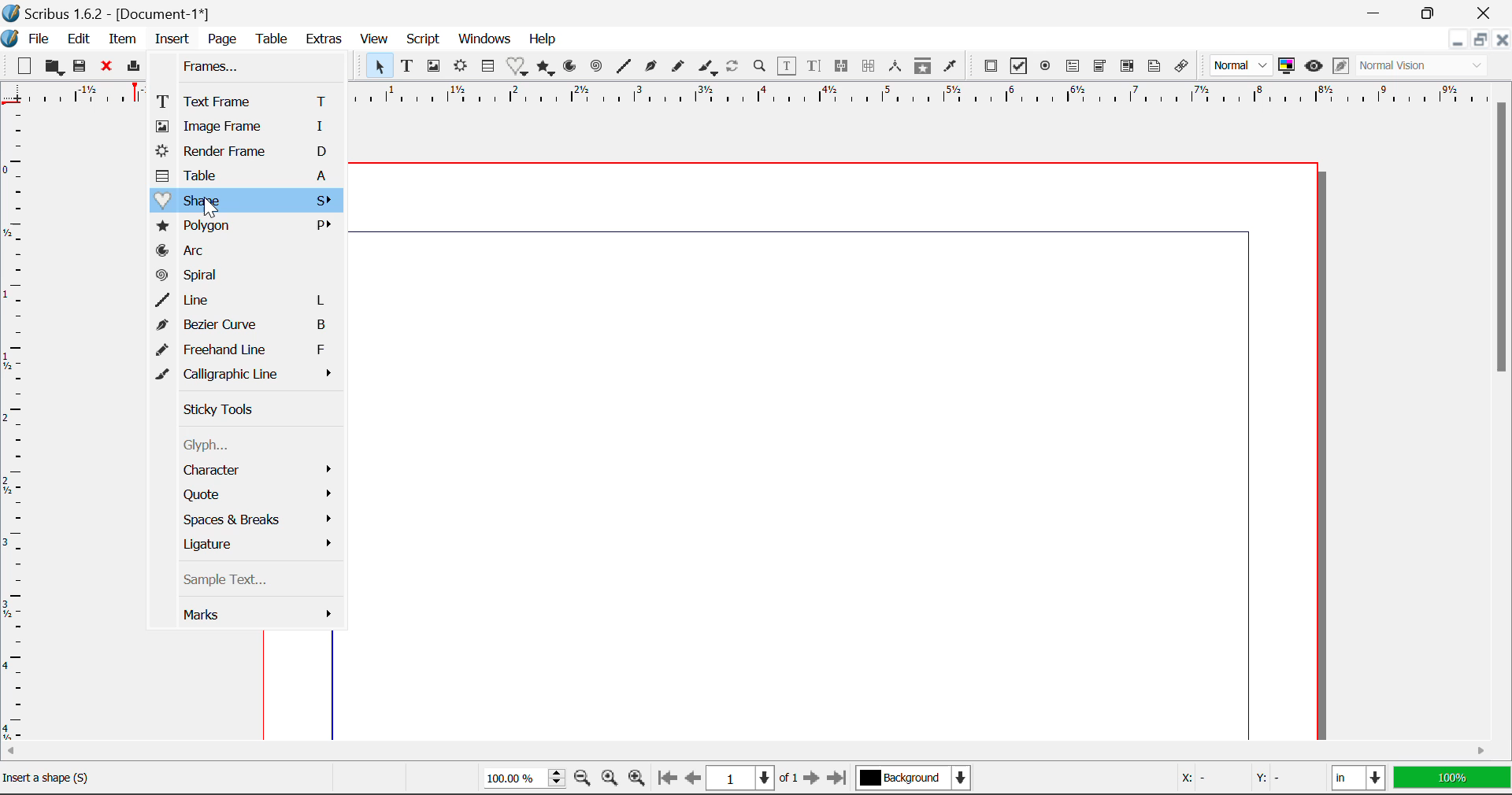 The image size is (1512, 795). What do you see at coordinates (243, 128) in the screenshot?
I see `Image Frame` at bounding box center [243, 128].